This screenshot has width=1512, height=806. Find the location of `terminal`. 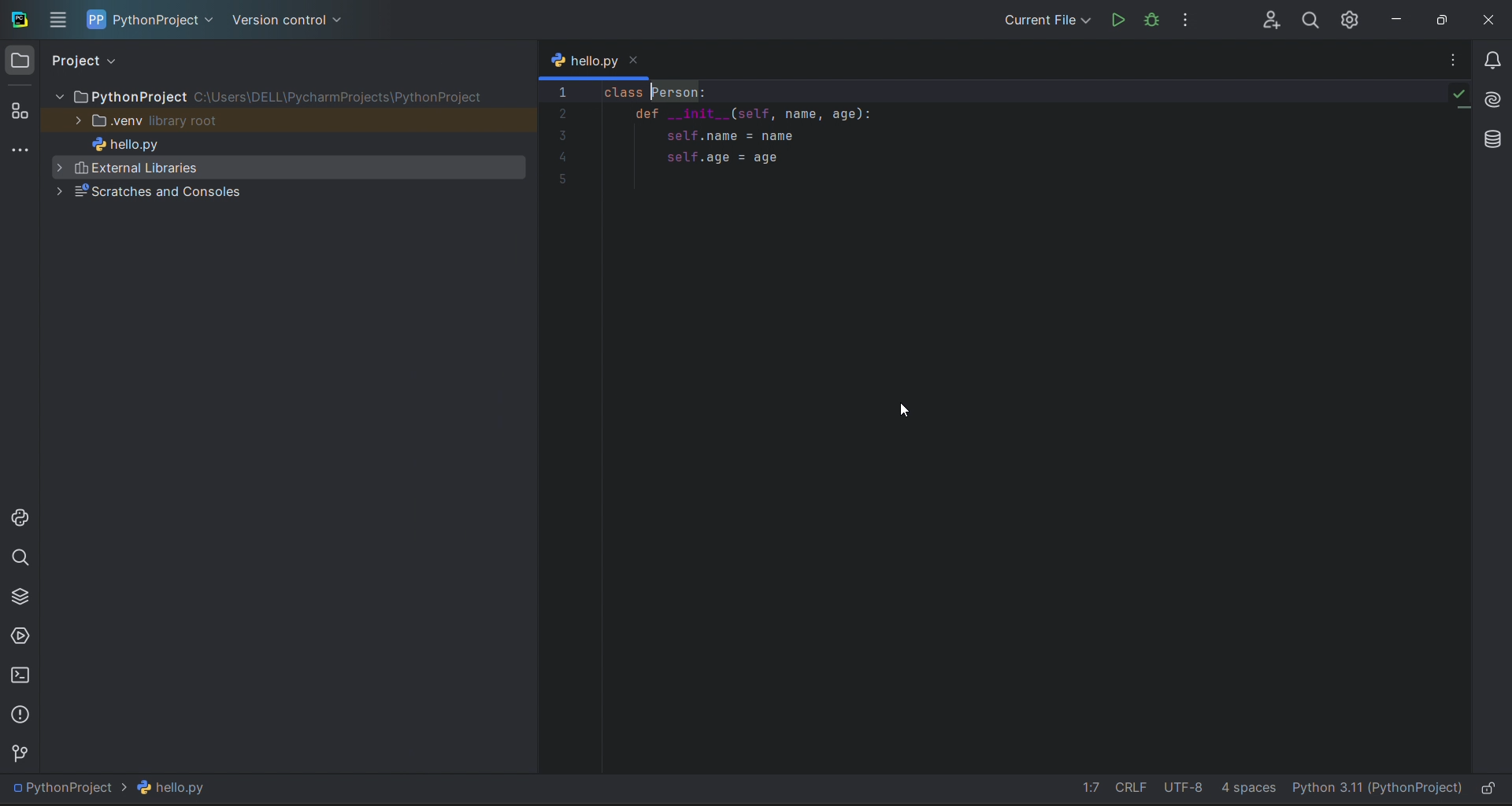

terminal is located at coordinates (20, 676).